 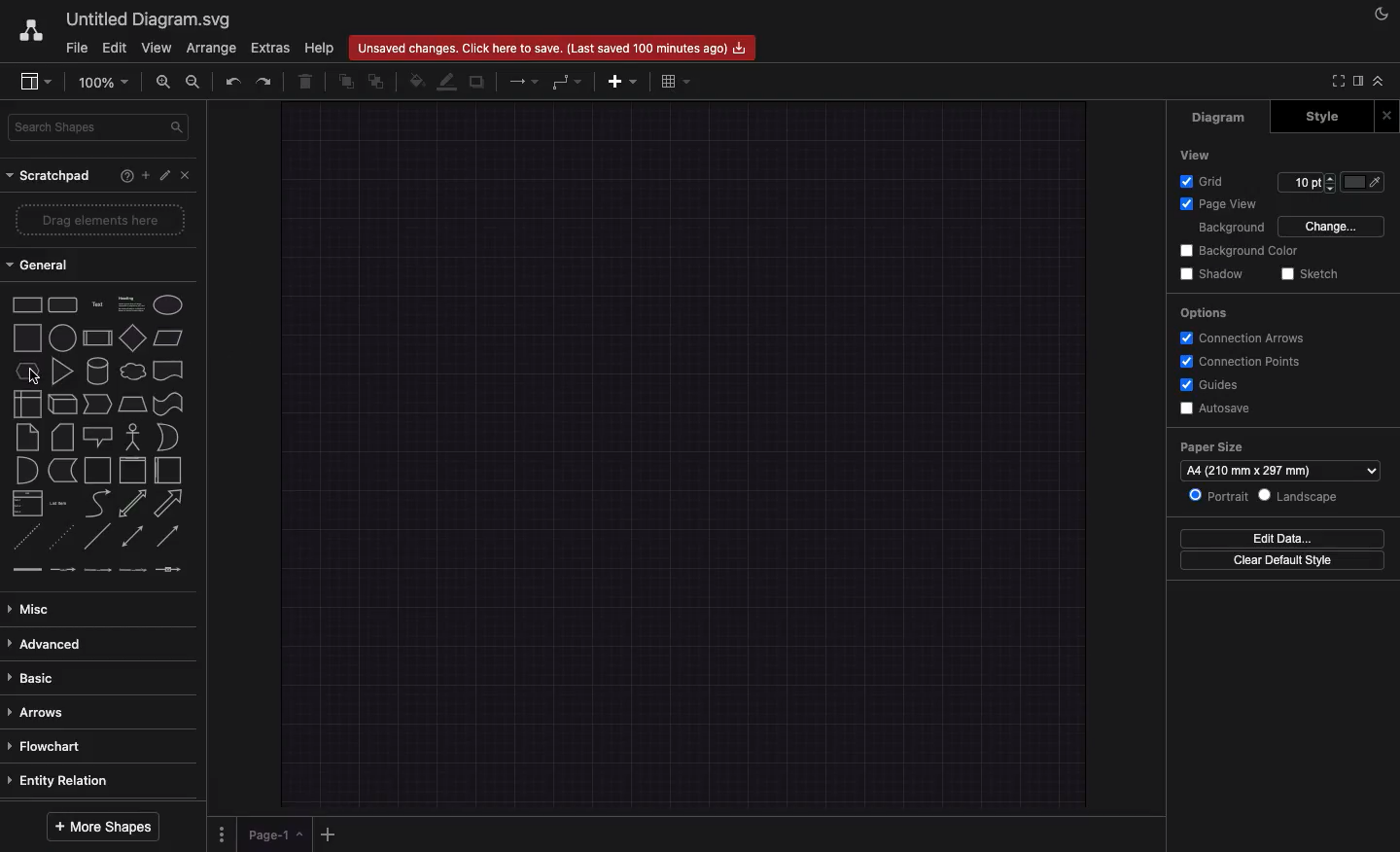 I want to click on Untitled diagram.svg, so click(x=149, y=18).